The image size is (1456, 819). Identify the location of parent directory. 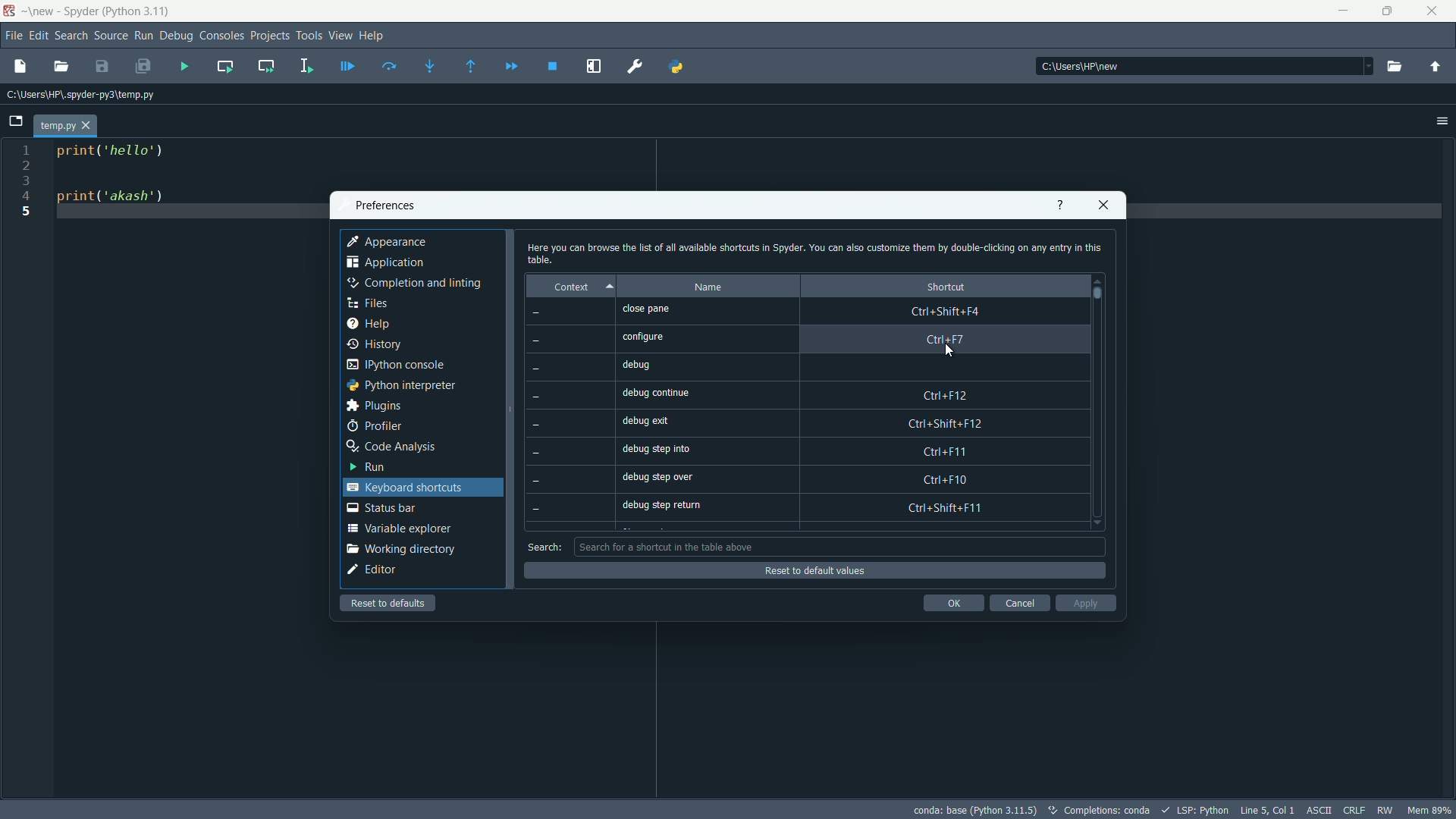
(1435, 69).